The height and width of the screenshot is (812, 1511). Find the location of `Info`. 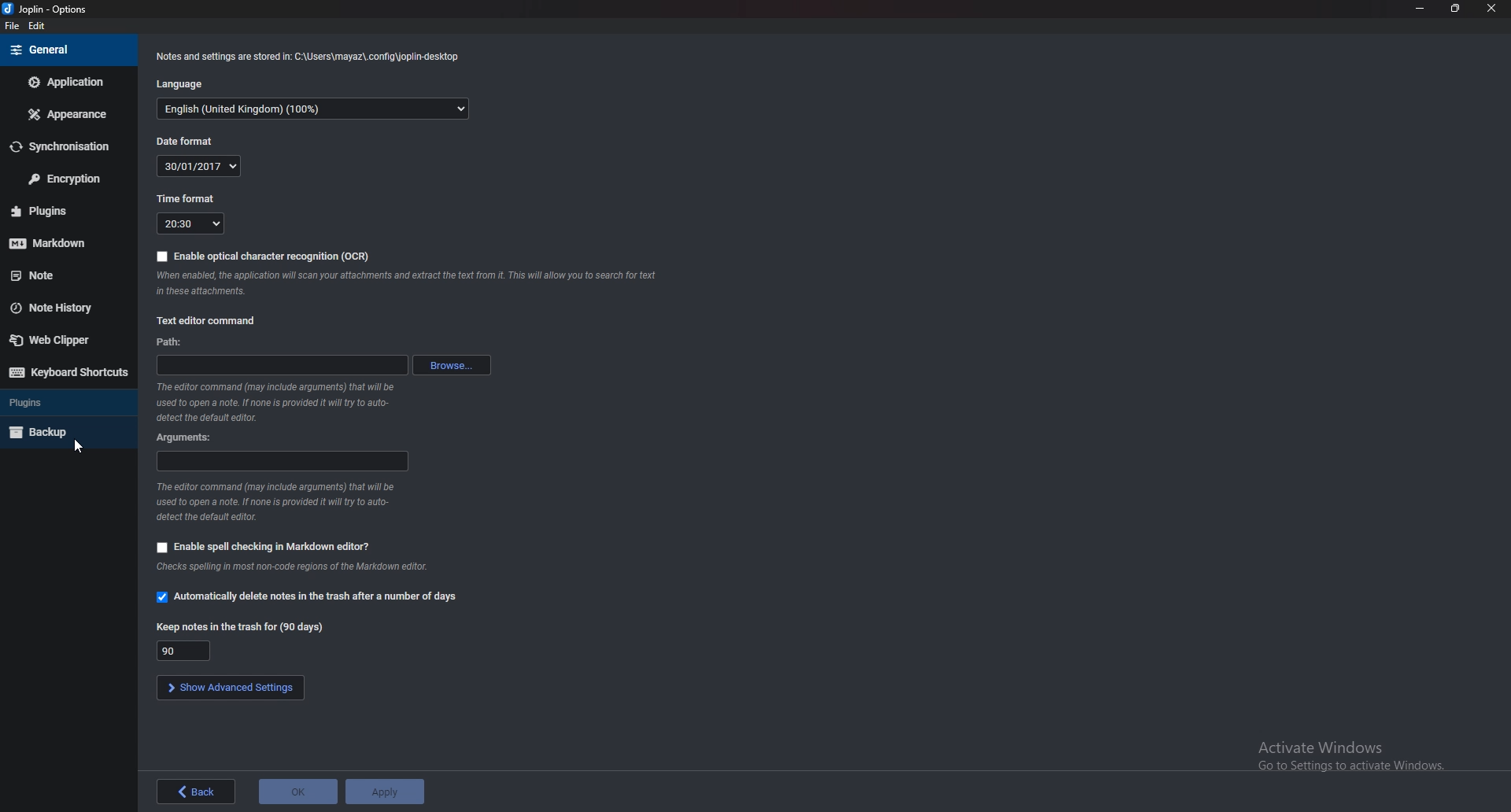

Info is located at coordinates (408, 282).